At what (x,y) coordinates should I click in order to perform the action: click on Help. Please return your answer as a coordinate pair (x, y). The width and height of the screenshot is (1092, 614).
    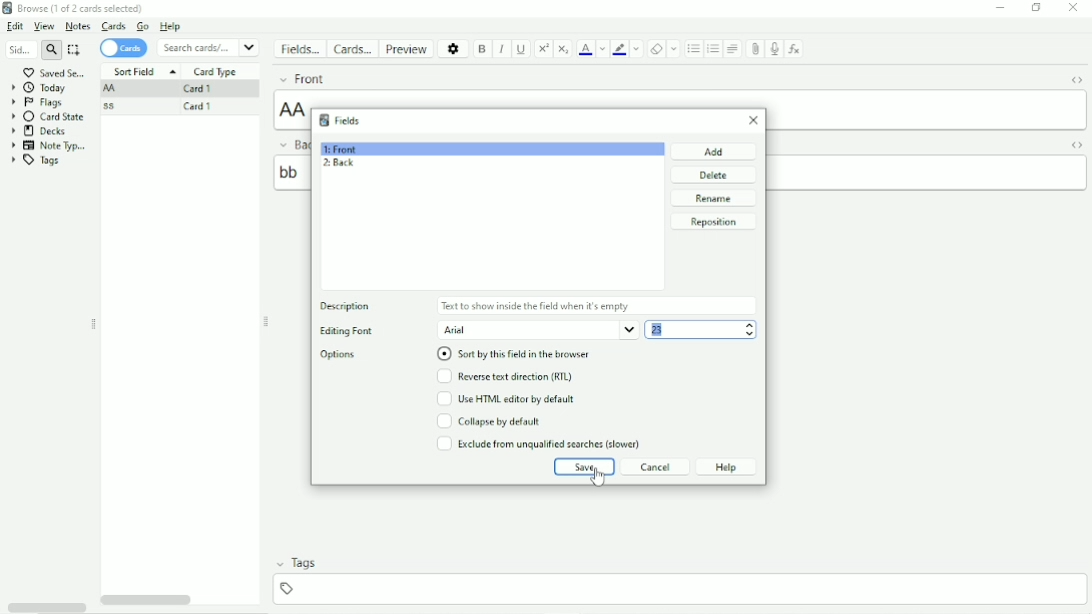
    Looking at the image, I should click on (727, 467).